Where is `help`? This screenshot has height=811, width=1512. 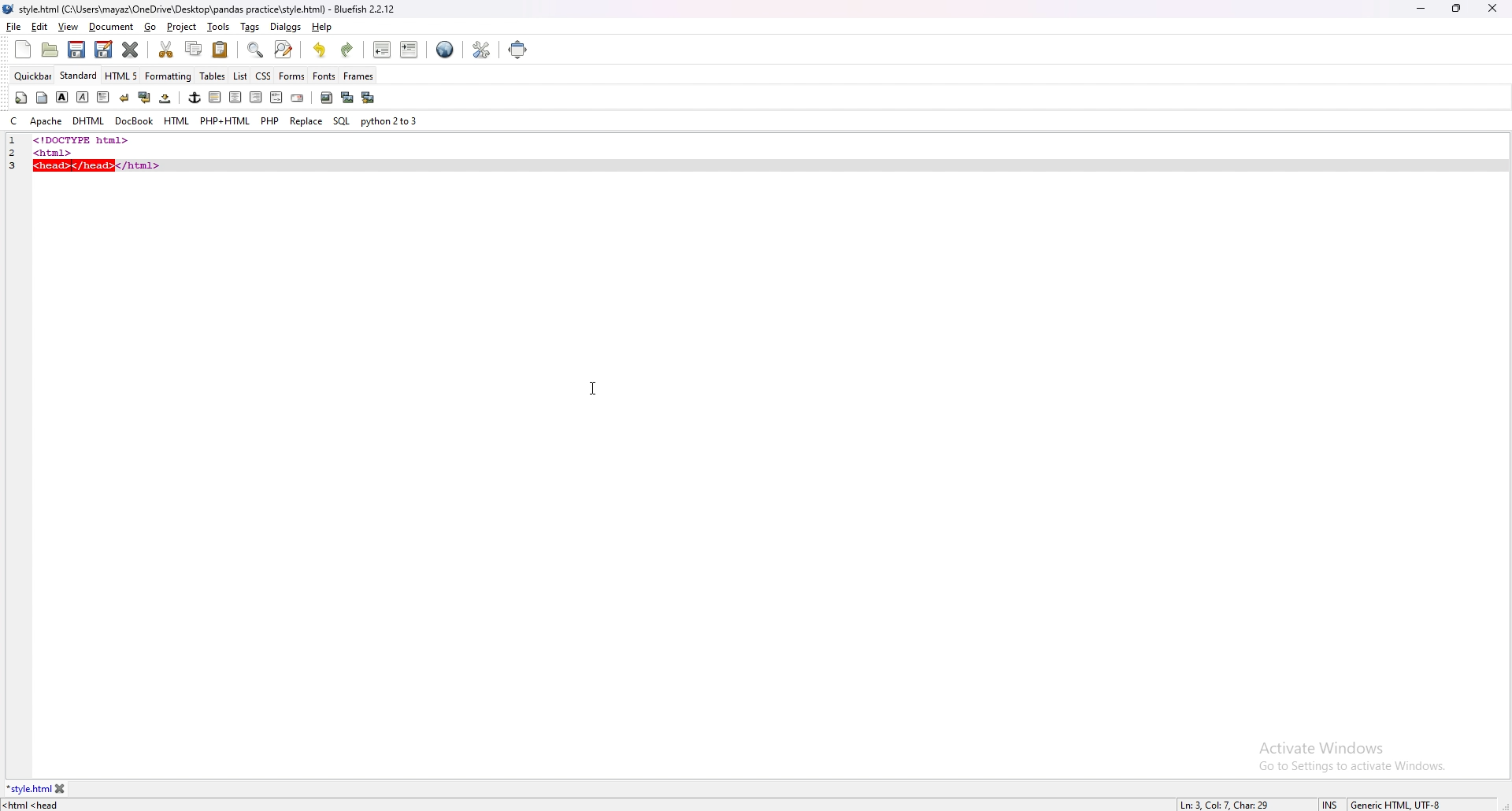
help is located at coordinates (321, 27).